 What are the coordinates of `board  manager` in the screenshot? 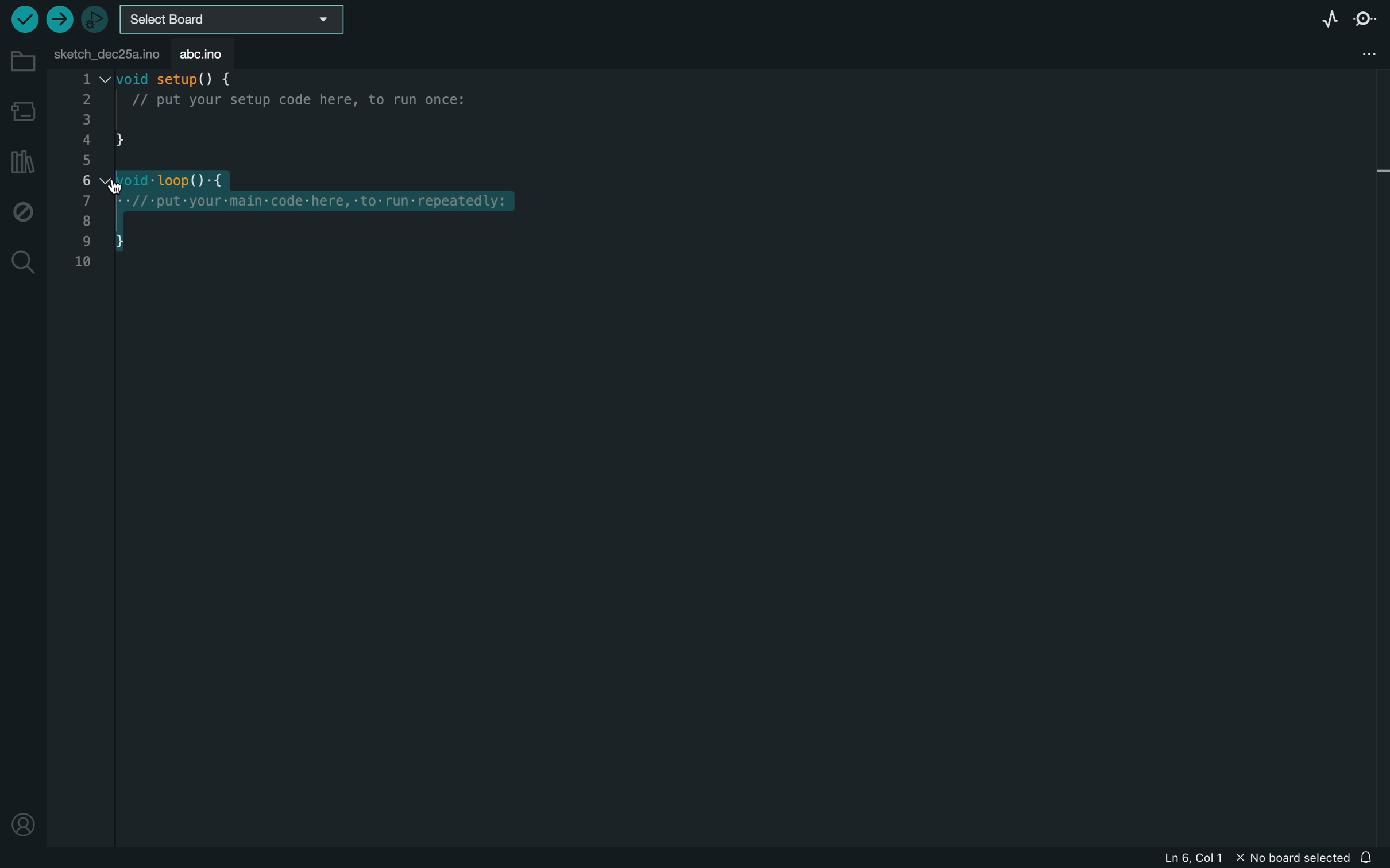 It's located at (21, 110).